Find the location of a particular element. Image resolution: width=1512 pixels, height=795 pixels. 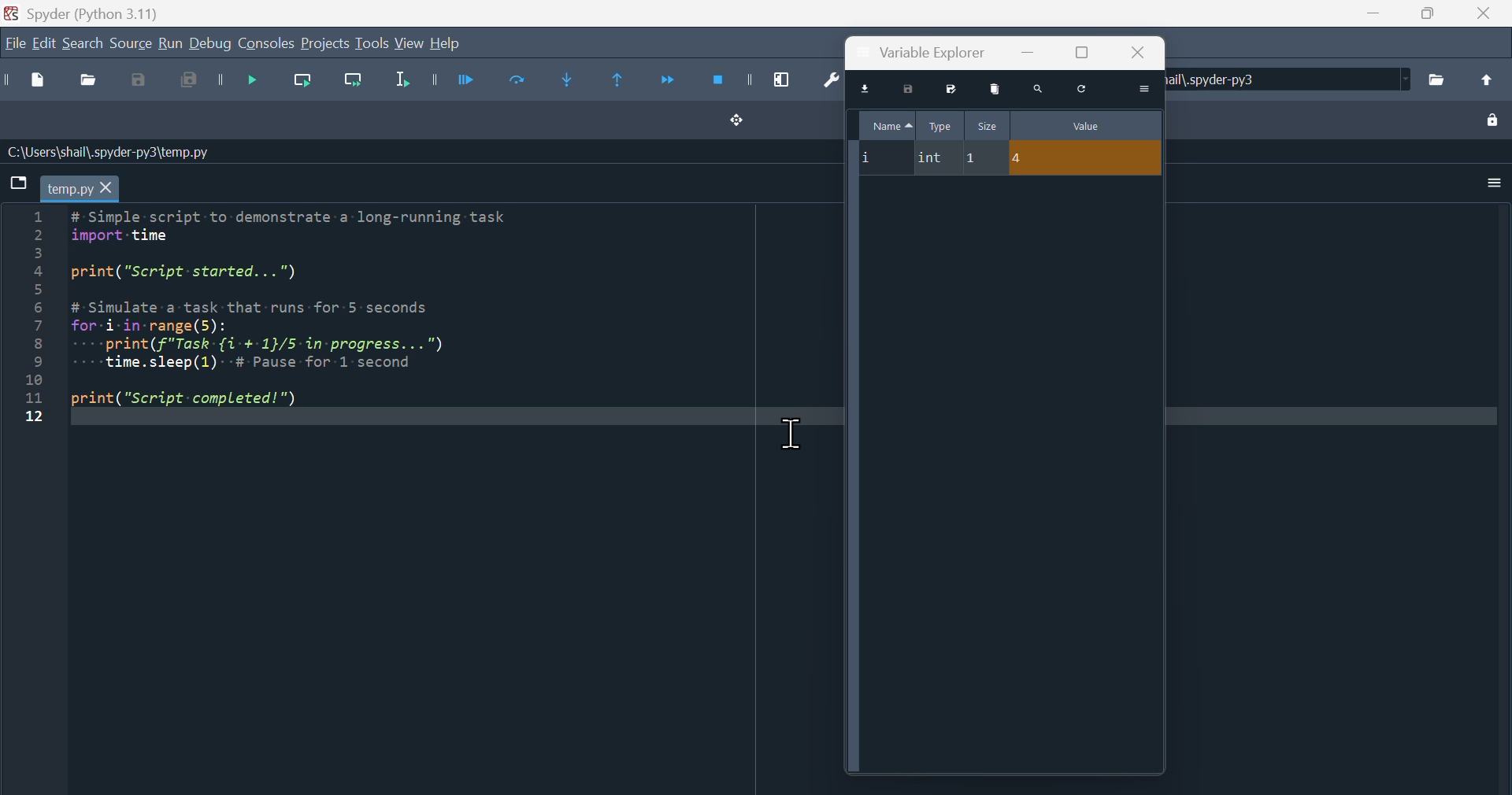

Lock unlock button is located at coordinates (1492, 119).